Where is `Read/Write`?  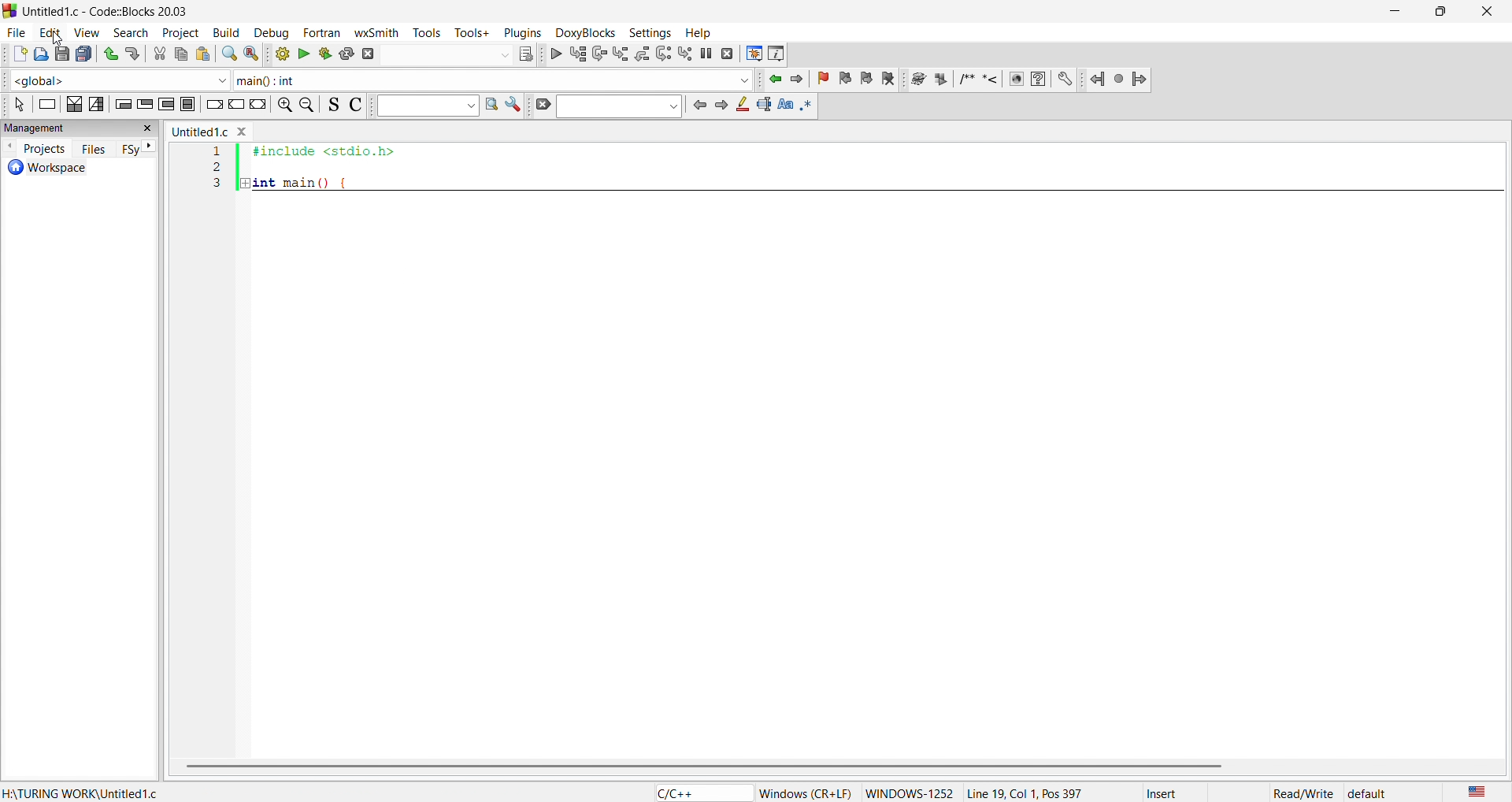
Read/Write is located at coordinates (1303, 792).